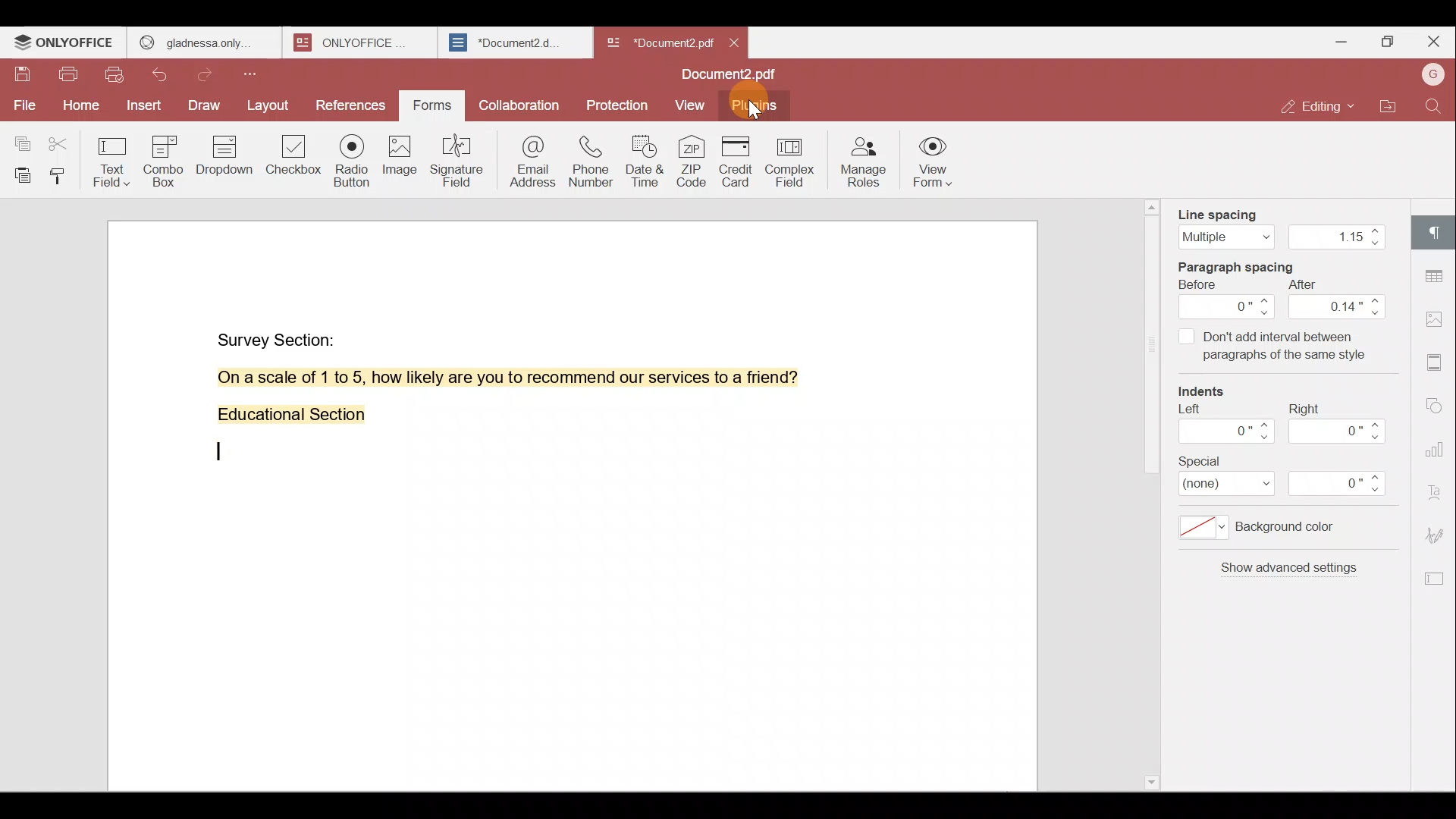 This screenshot has width=1456, height=819. What do you see at coordinates (755, 108) in the screenshot?
I see `plugins` at bounding box center [755, 108].